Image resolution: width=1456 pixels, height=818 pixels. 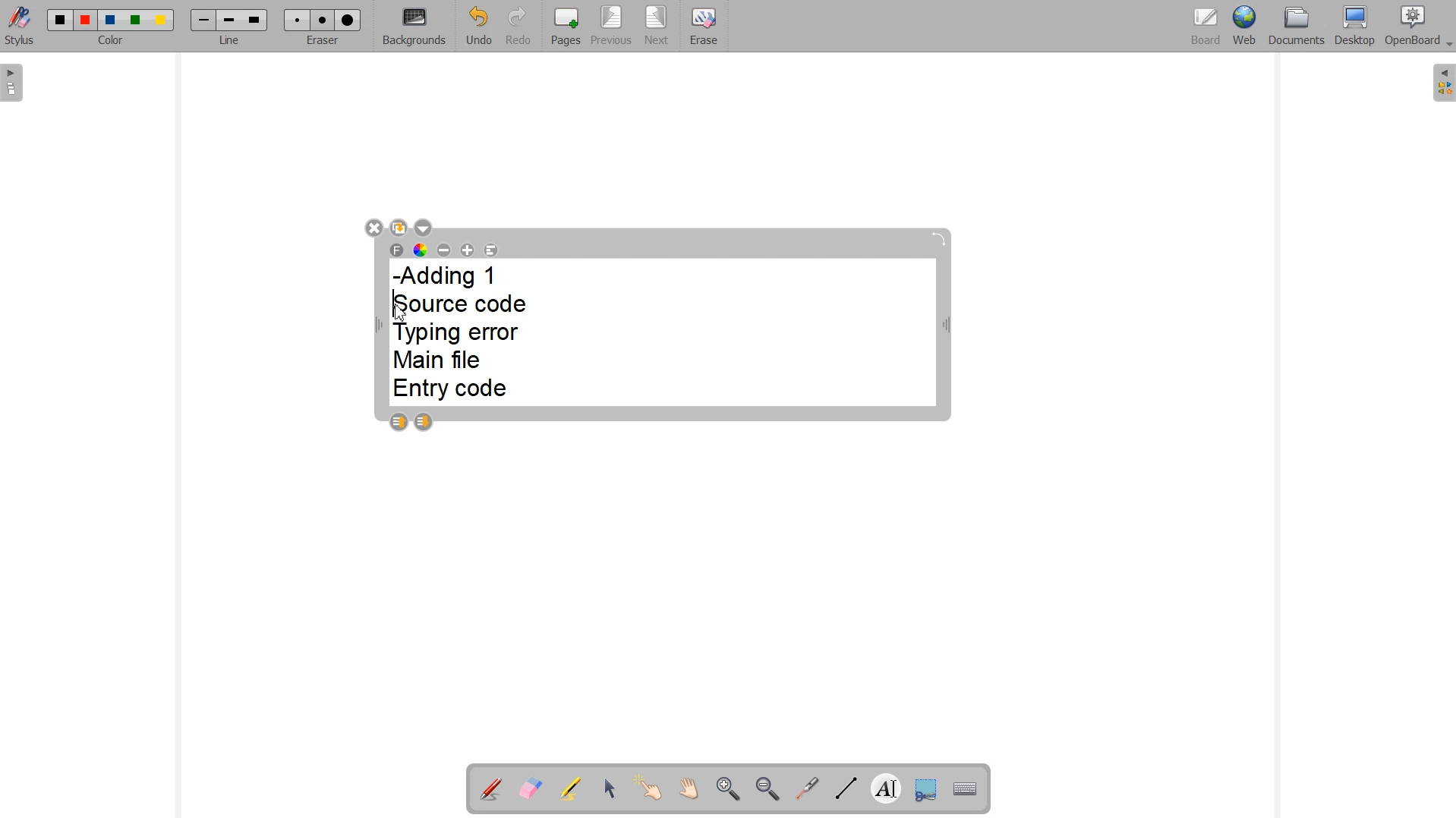 I want to click on Web, so click(x=1244, y=27).